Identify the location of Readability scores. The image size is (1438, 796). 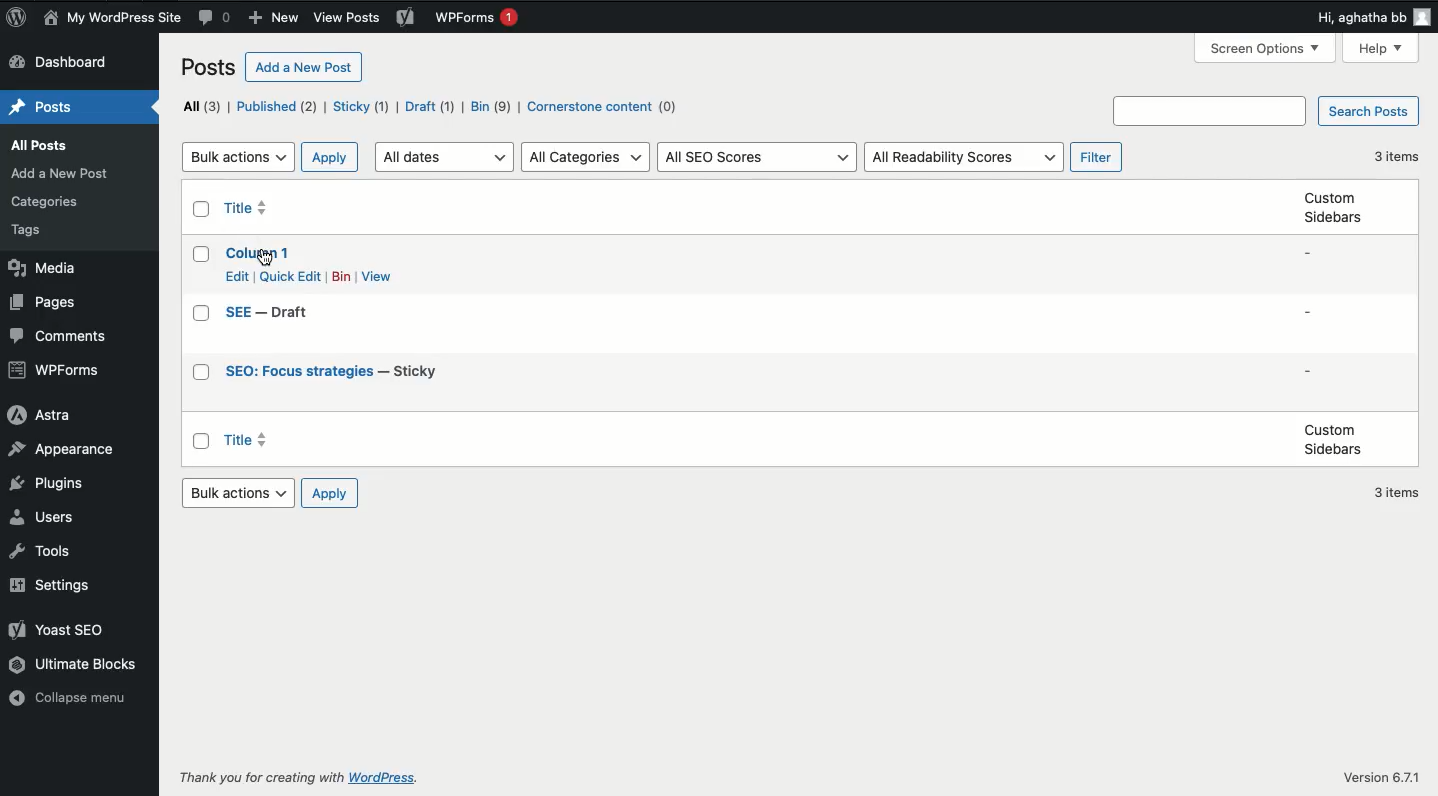
(966, 156).